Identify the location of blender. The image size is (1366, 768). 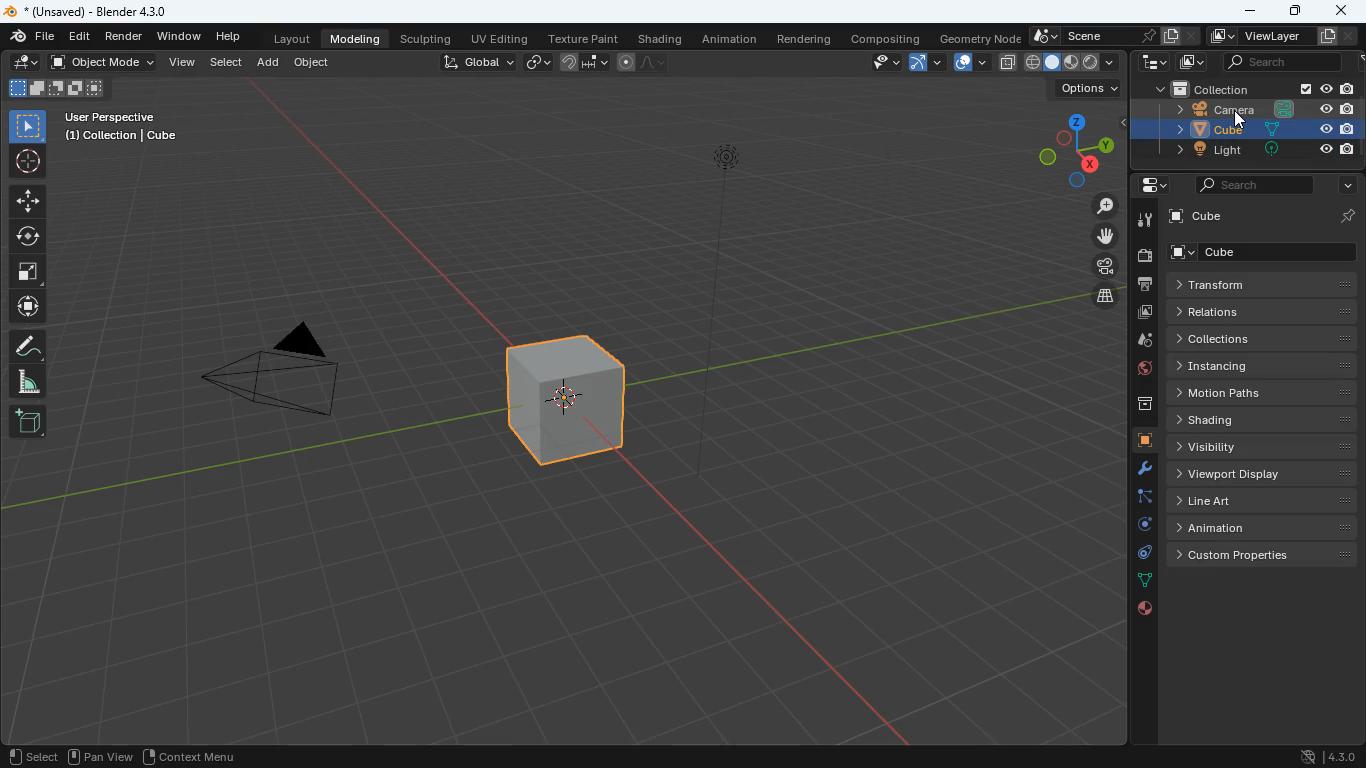
(97, 13).